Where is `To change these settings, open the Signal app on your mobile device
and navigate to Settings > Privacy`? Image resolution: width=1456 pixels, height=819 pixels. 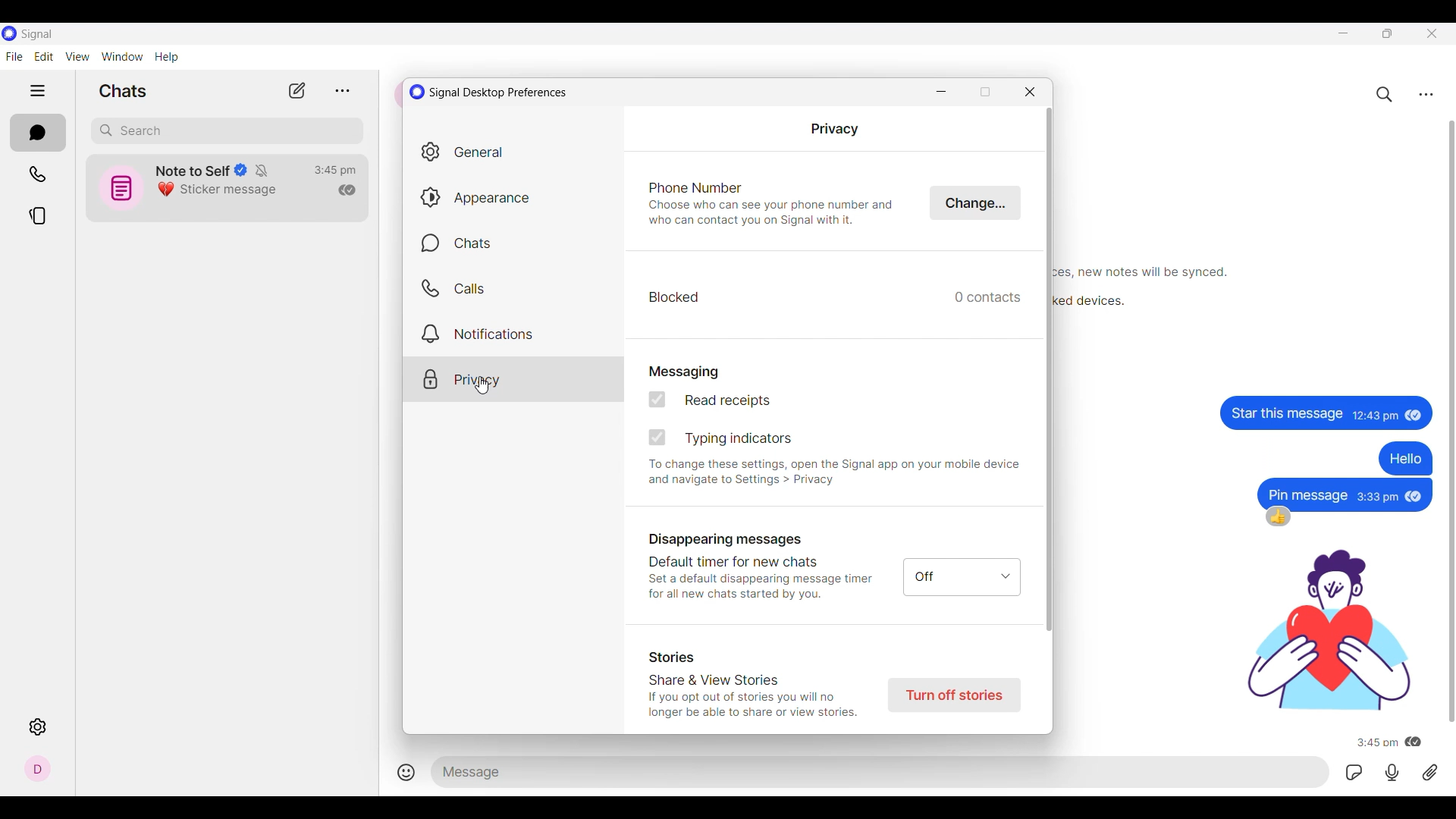 To change these settings, open the Signal app on your mobile device
and navigate to Settings > Privacy is located at coordinates (811, 472).